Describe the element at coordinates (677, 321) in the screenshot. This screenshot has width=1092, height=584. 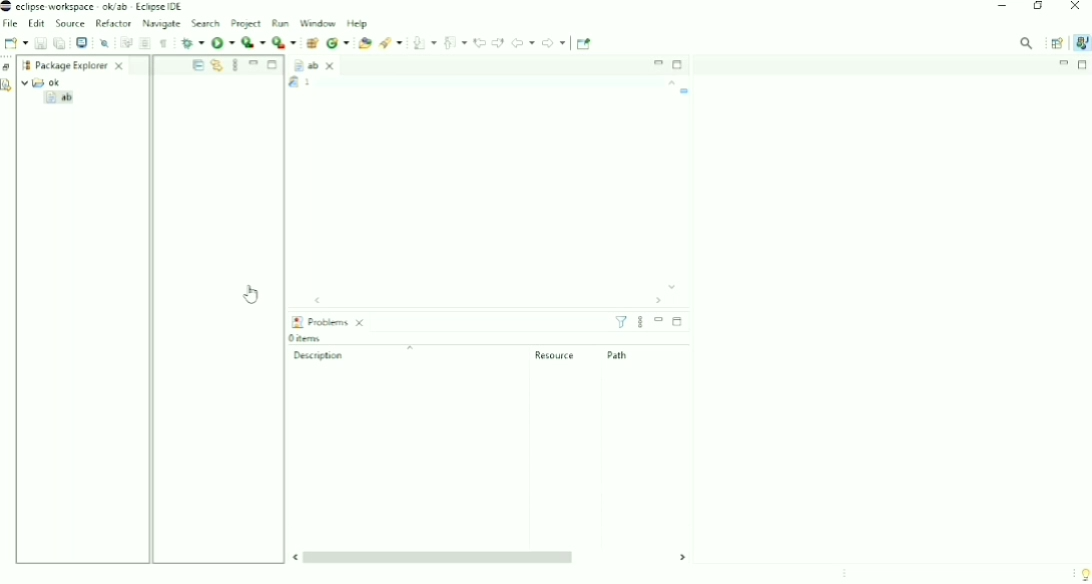
I see `Maximize` at that location.